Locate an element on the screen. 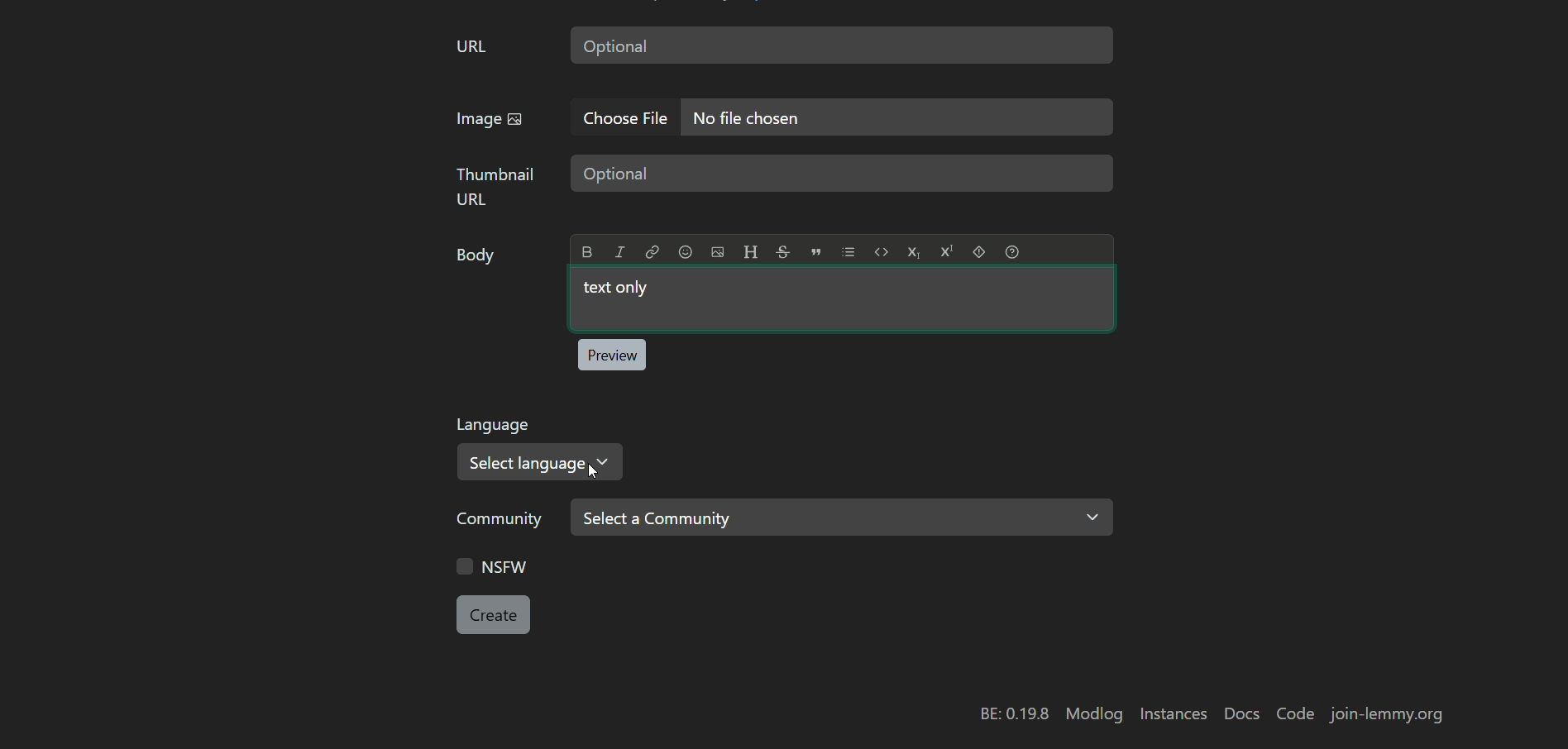  Subscript is located at coordinates (913, 252).